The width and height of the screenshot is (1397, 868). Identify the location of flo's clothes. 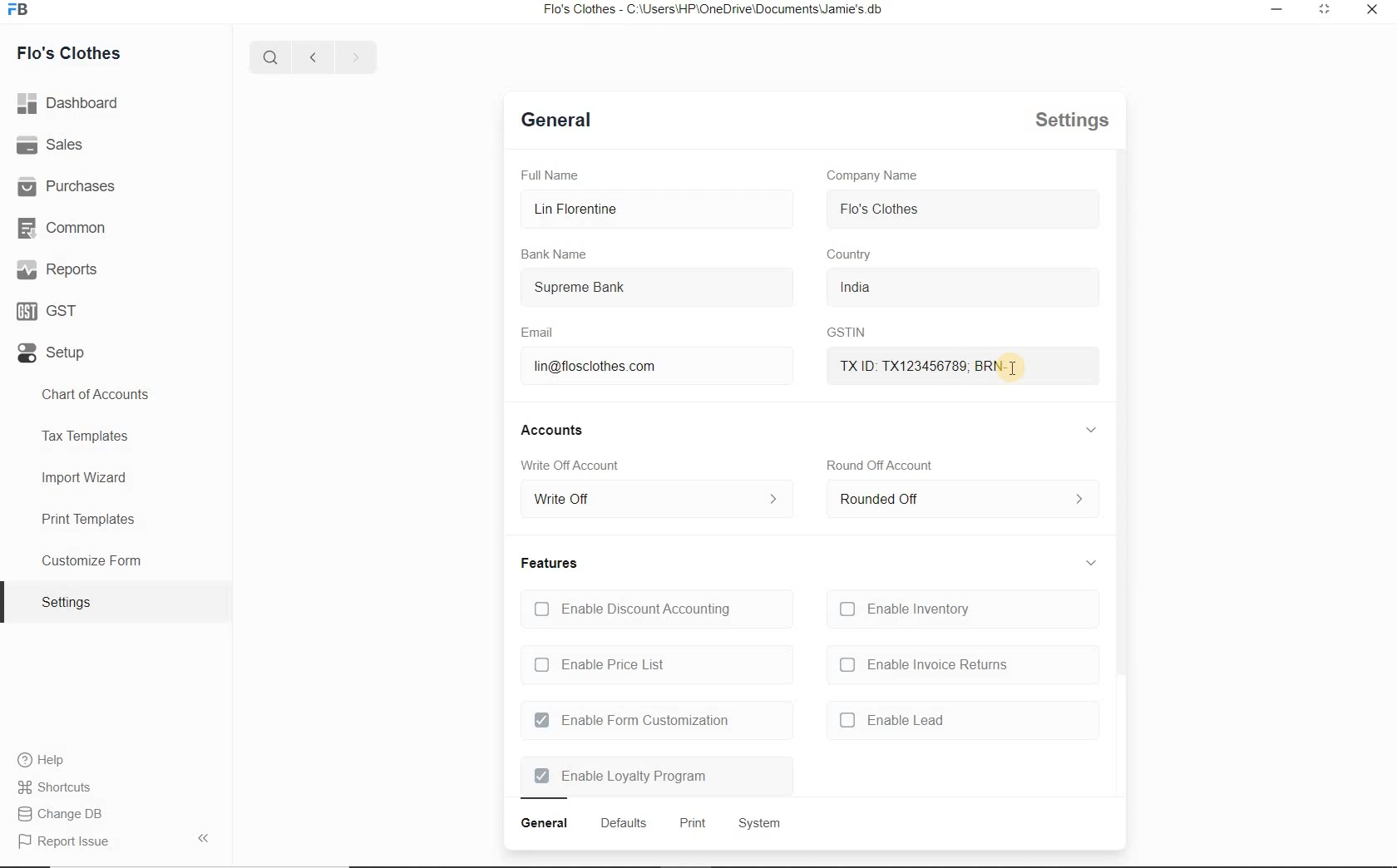
(881, 209).